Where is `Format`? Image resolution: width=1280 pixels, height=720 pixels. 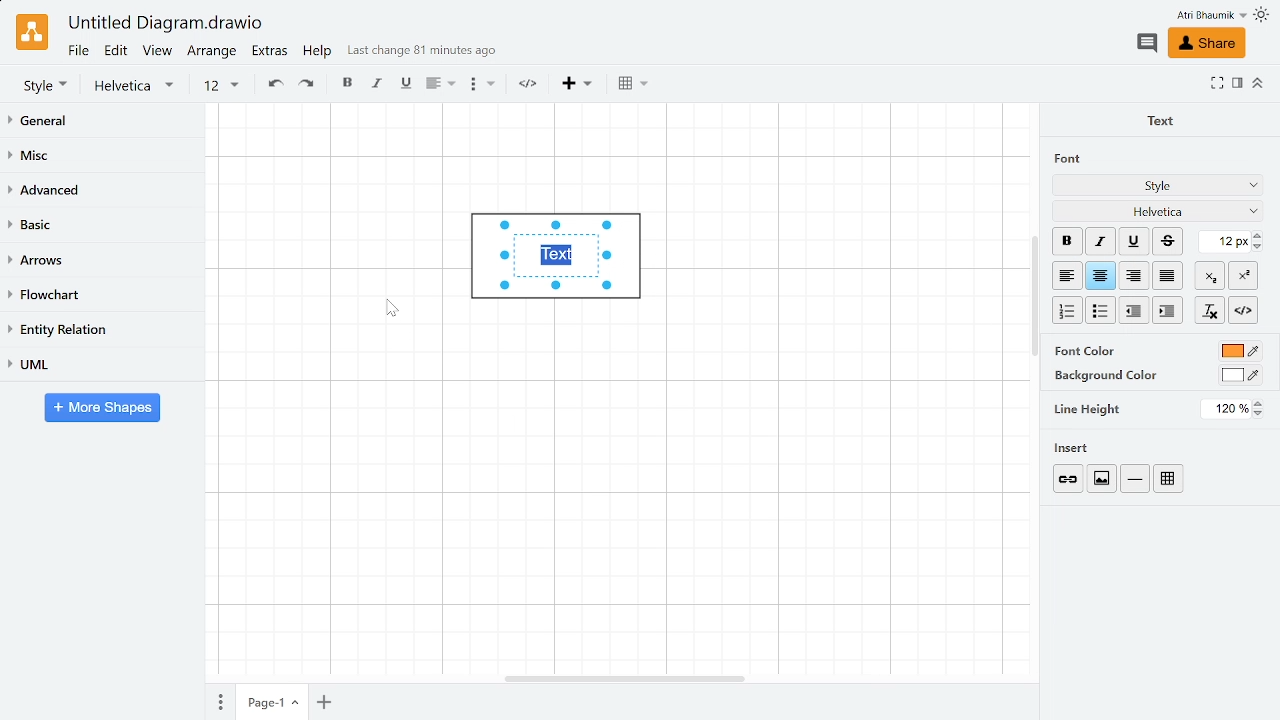
Format is located at coordinates (1237, 85).